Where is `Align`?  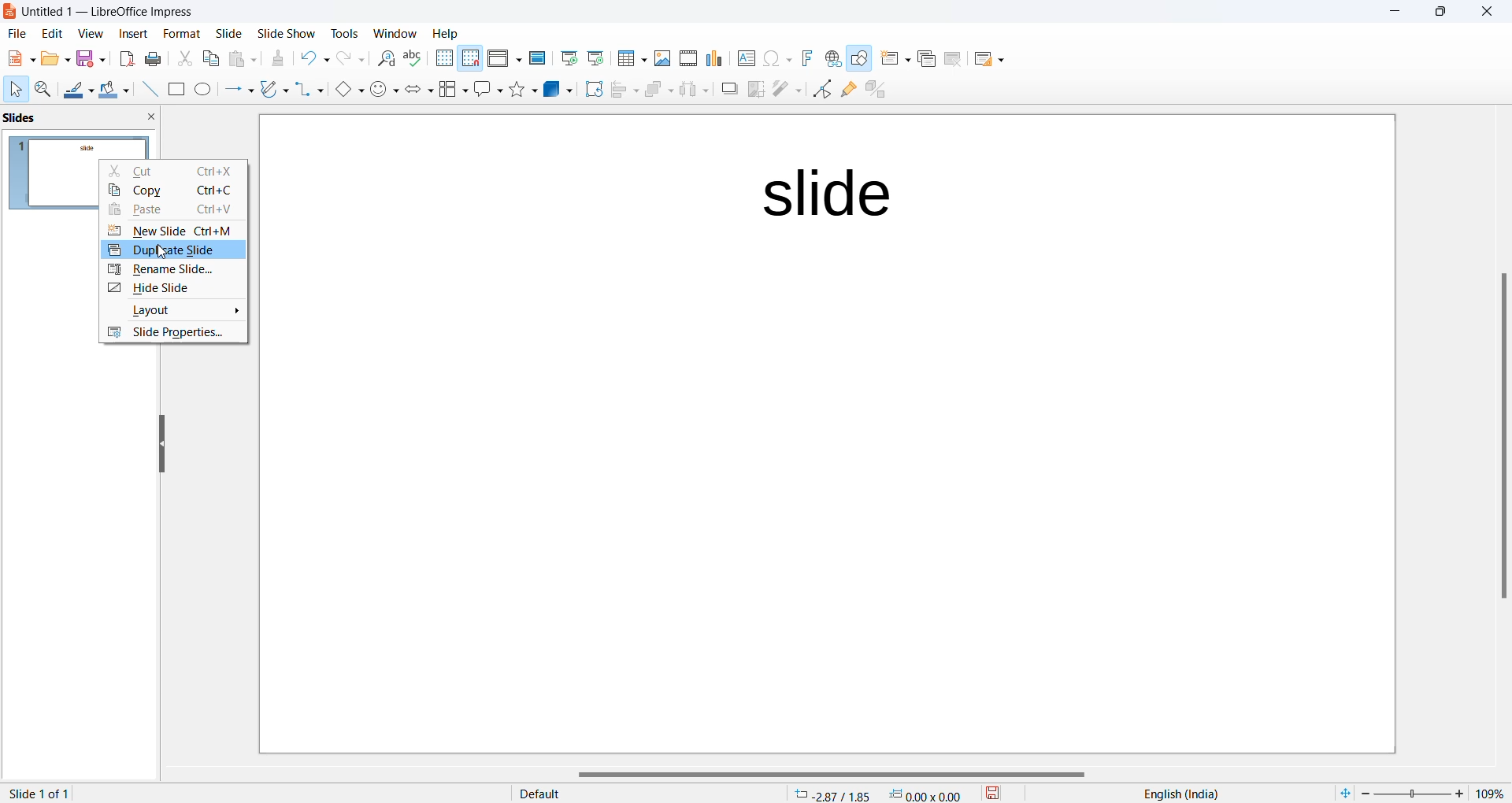
Align is located at coordinates (621, 91).